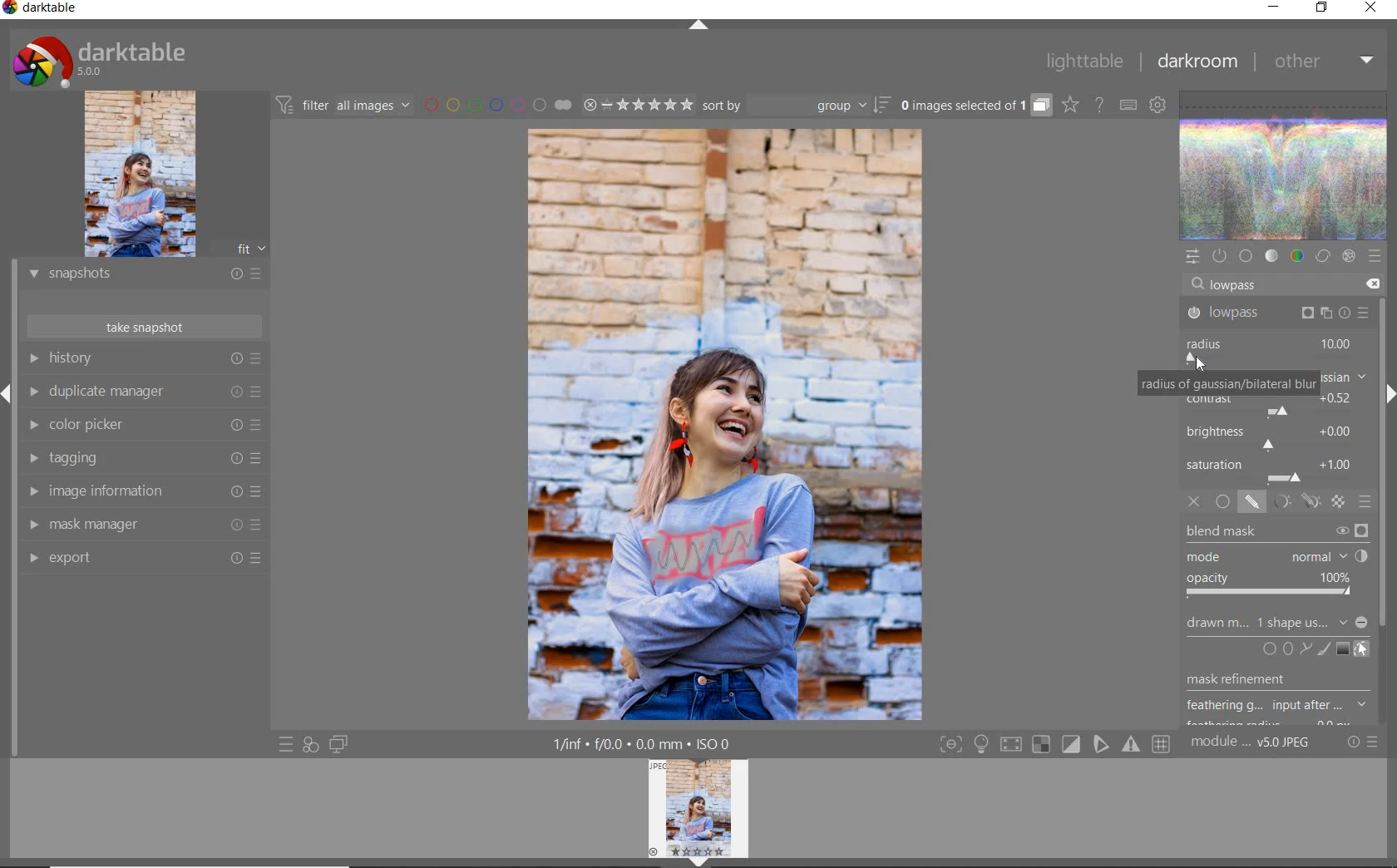 This screenshot has height=868, width=1397. I want to click on mask manager, so click(143, 526).